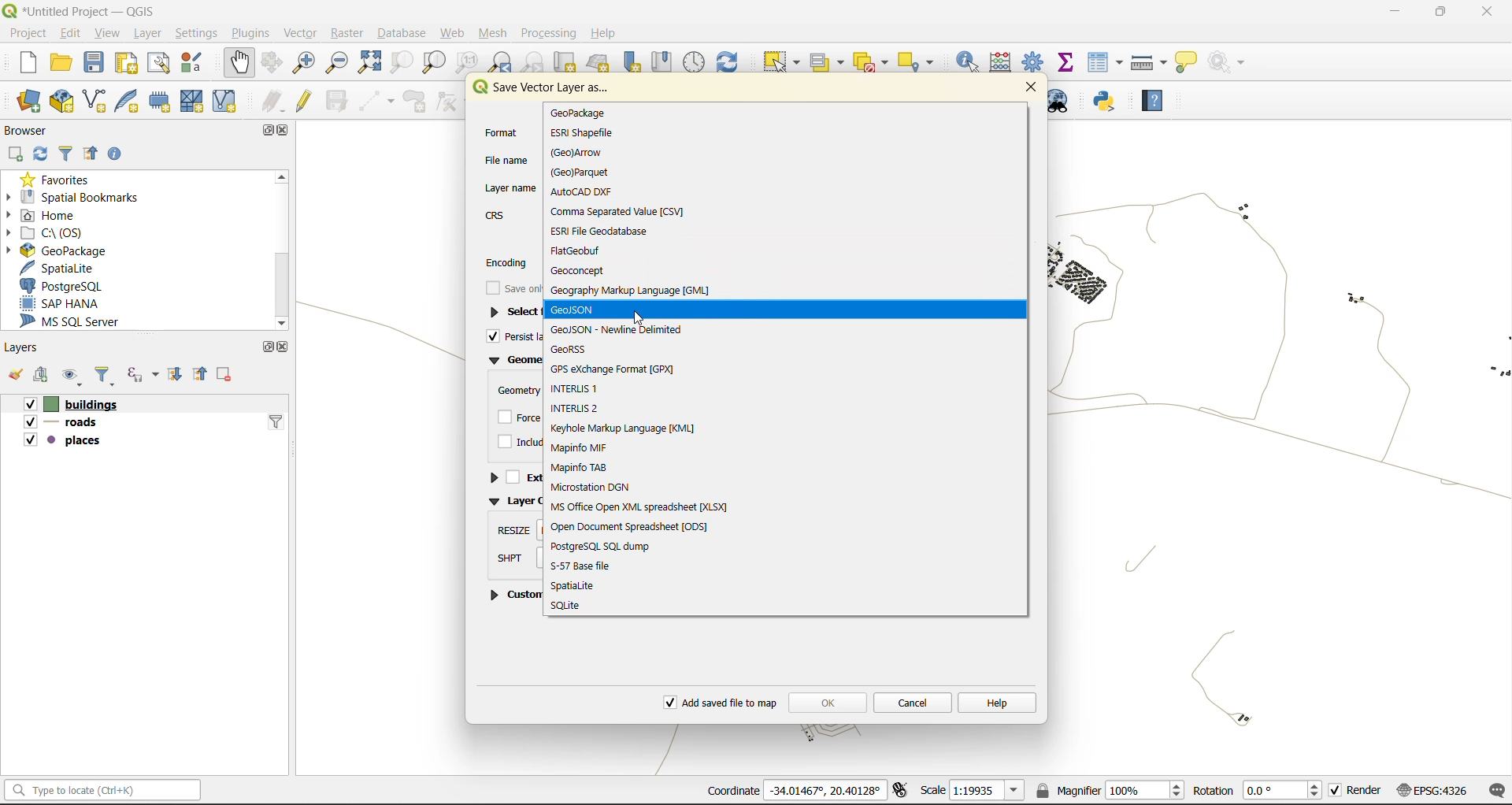 The height and width of the screenshot is (805, 1512). What do you see at coordinates (617, 329) in the screenshot?
I see `geo json new` at bounding box center [617, 329].